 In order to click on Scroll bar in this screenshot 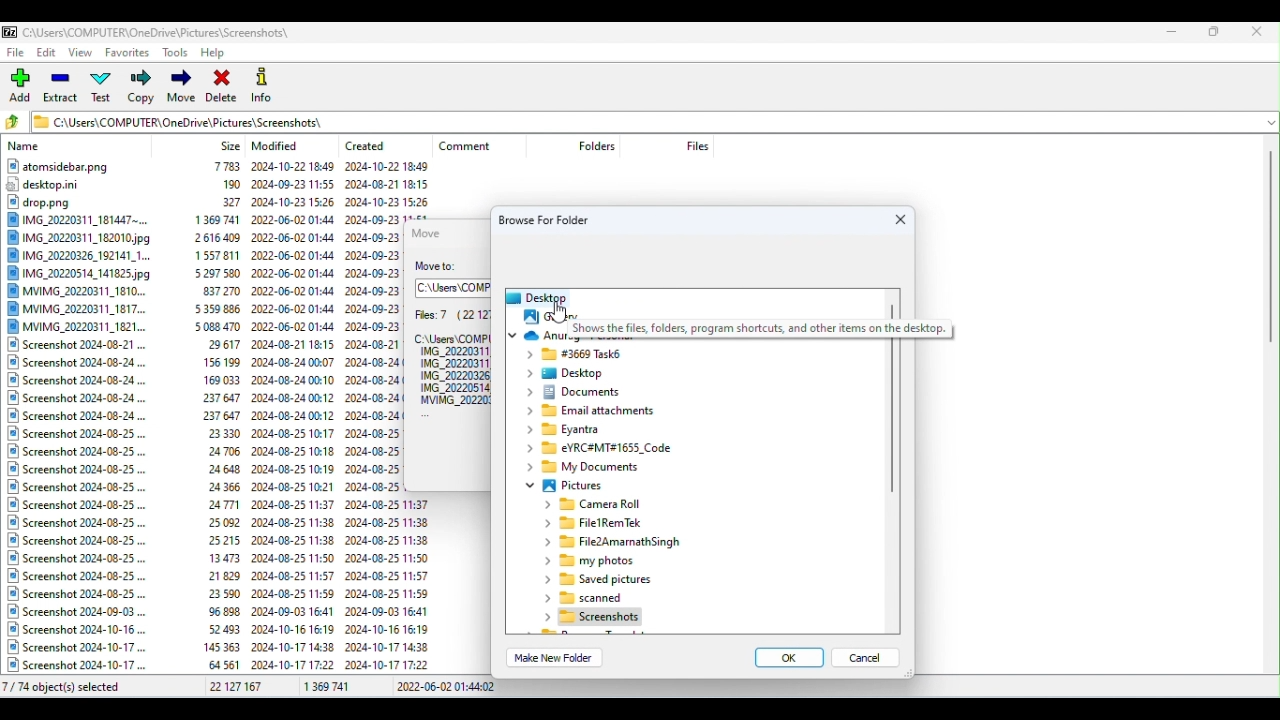, I will do `click(890, 488)`.